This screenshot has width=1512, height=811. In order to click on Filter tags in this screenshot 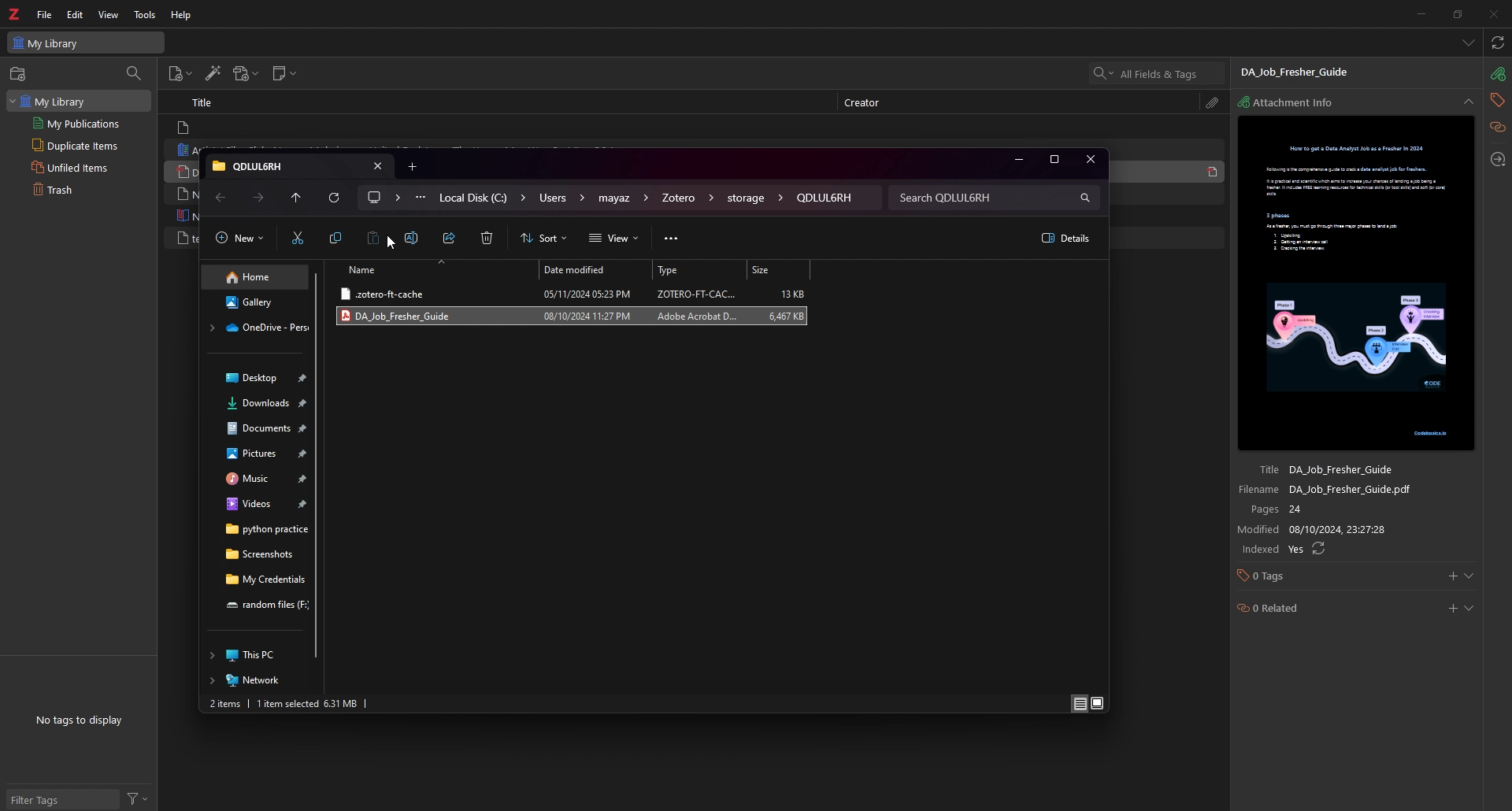, I will do `click(55, 799)`.